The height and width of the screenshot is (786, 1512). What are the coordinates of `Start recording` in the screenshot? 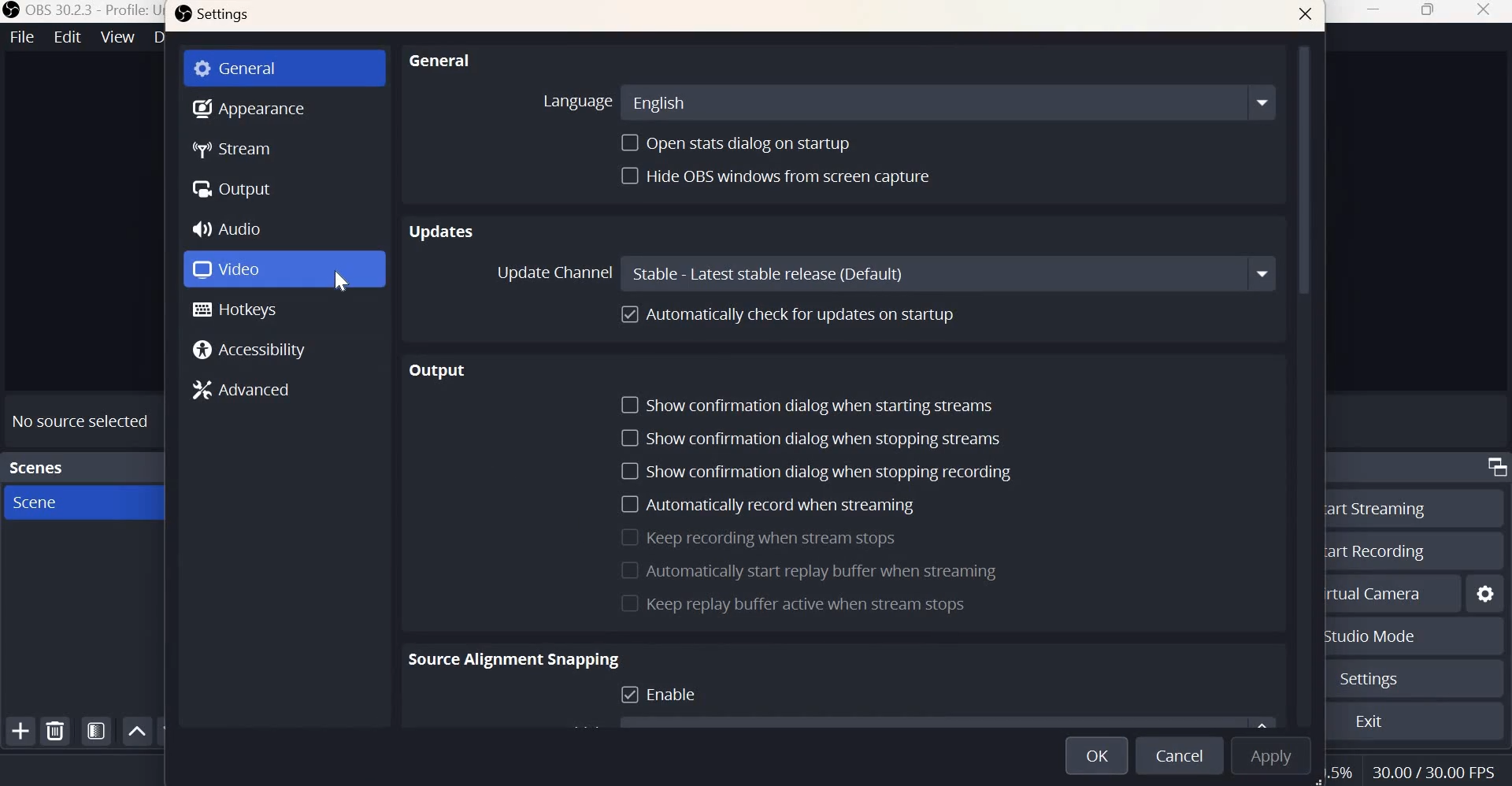 It's located at (1377, 550).